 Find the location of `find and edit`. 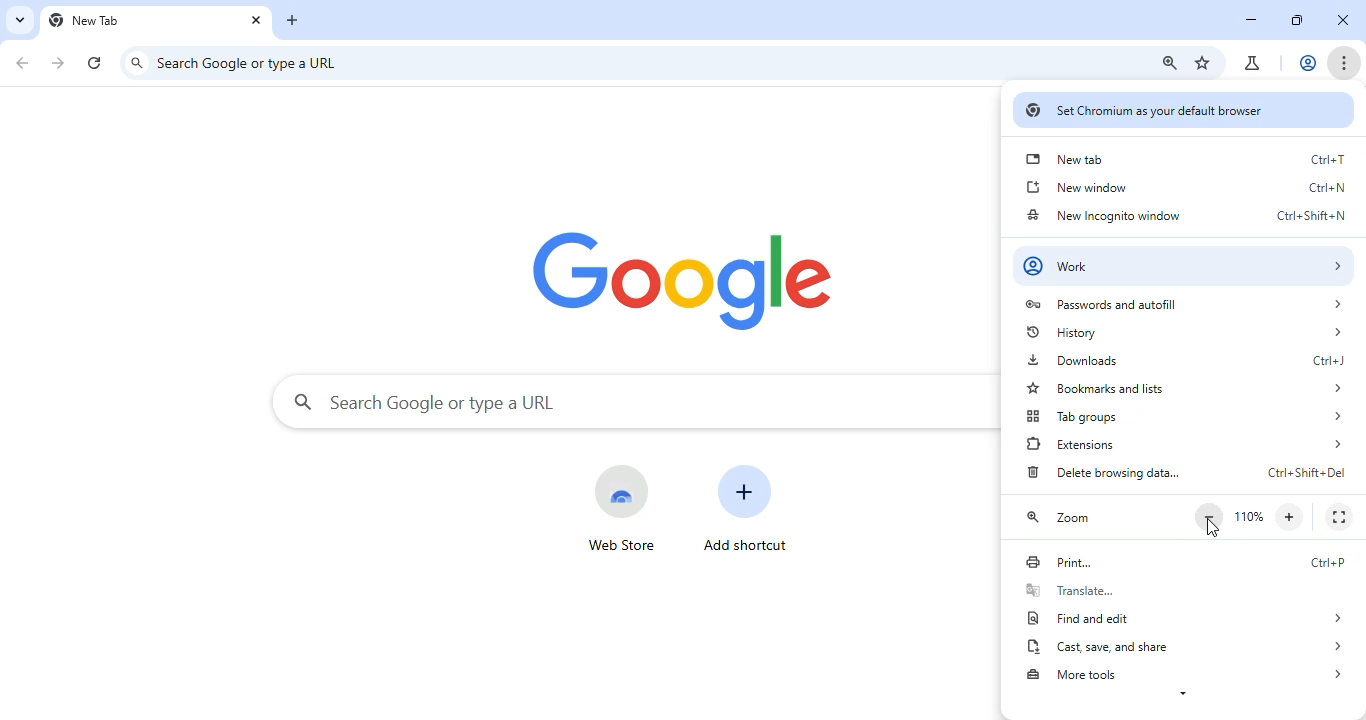

find and edit is located at coordinates (1186, 619).